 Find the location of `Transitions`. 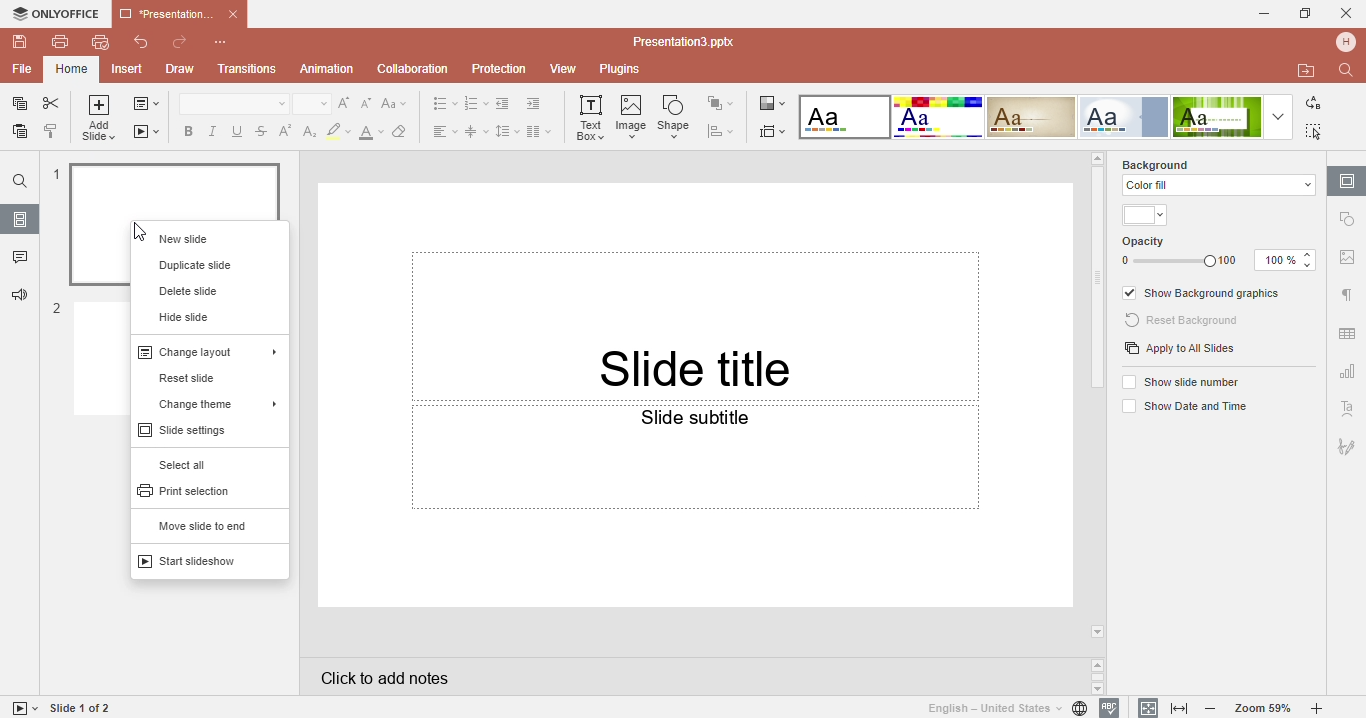

Transitions is located at coordinates (247, 70).